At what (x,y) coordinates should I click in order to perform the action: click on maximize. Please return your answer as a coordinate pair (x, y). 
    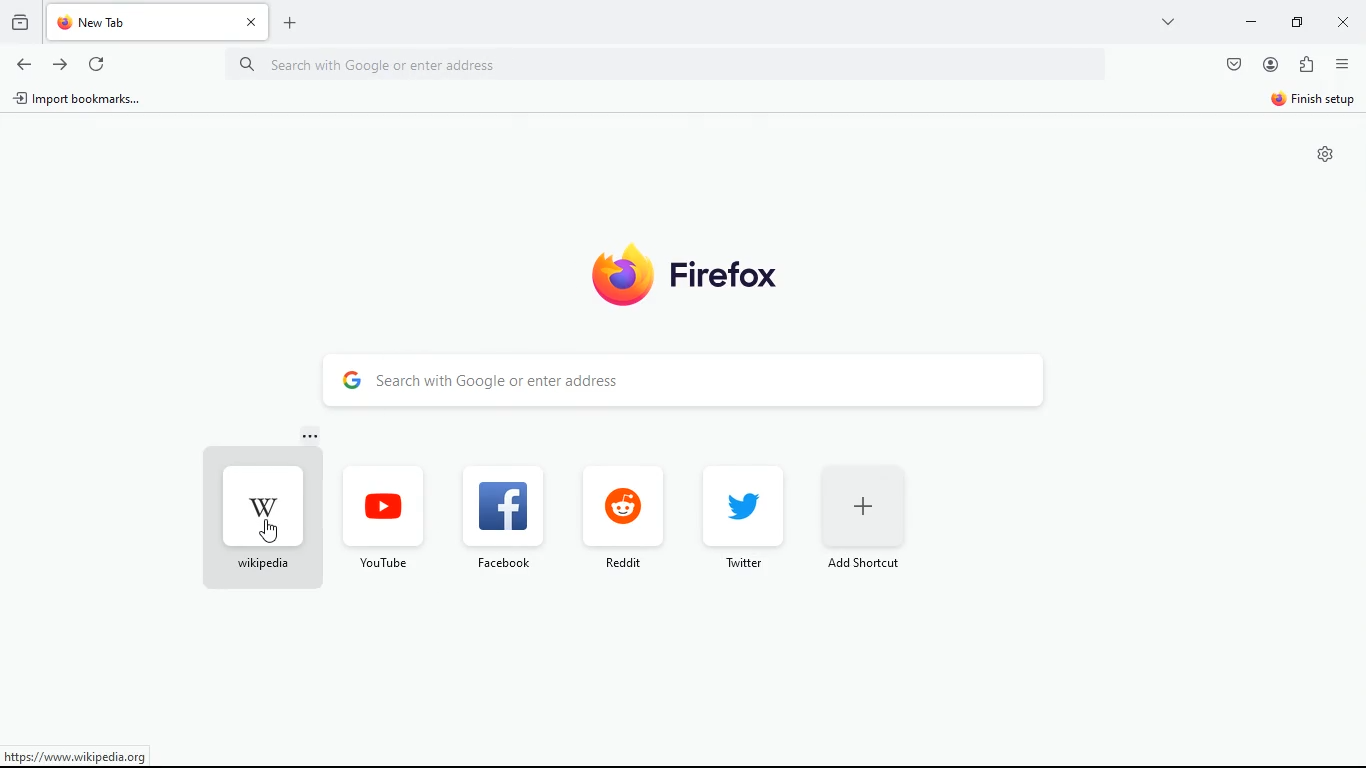
    Looking at the image, I should click on (1297, 21).